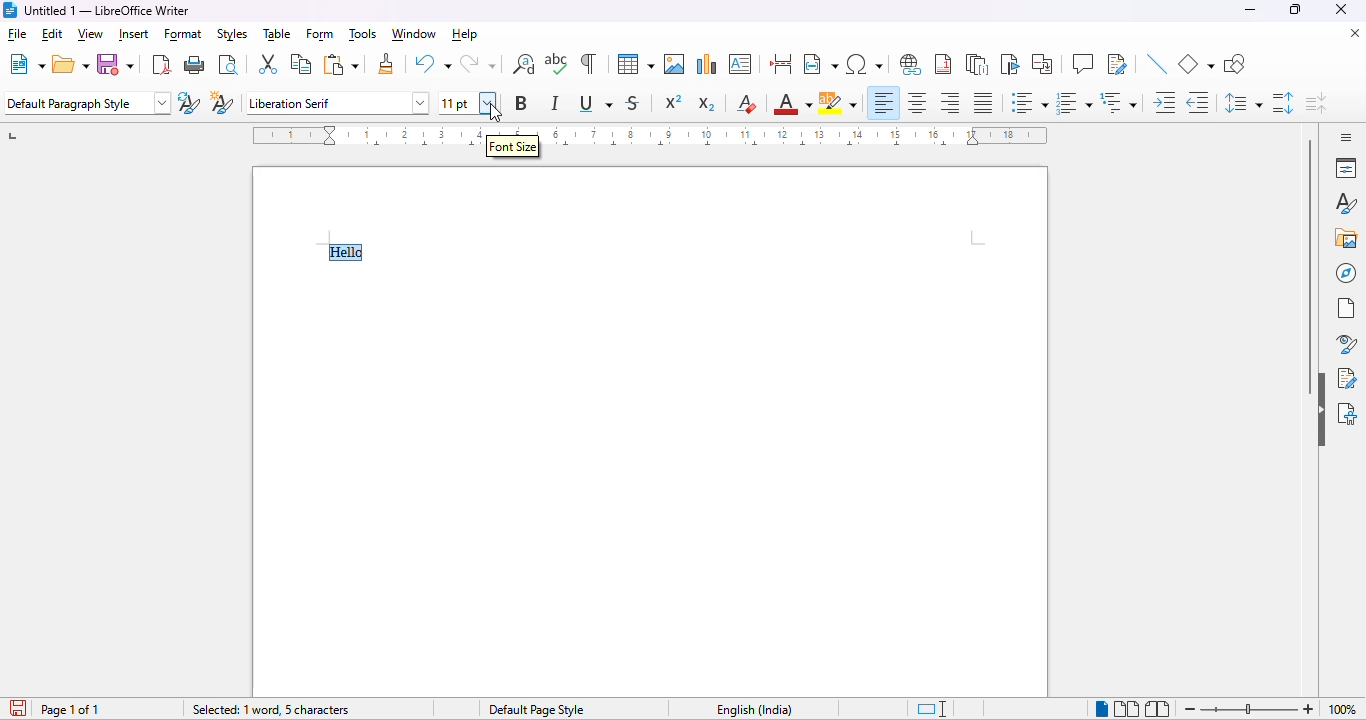  I want to click on clone formatting, so click(387, 64).